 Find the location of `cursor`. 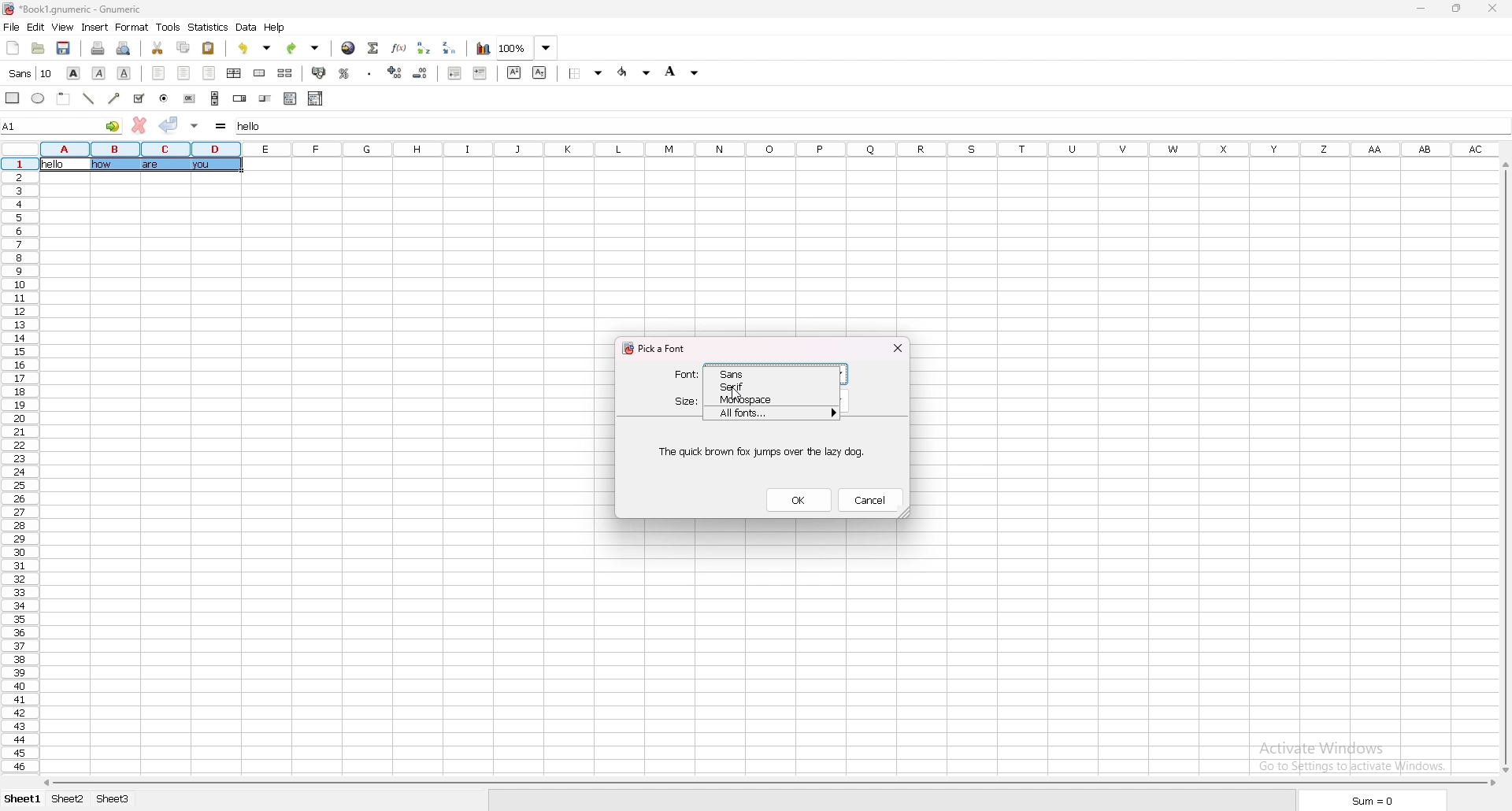

cursor is located at coordinates (738, 395).